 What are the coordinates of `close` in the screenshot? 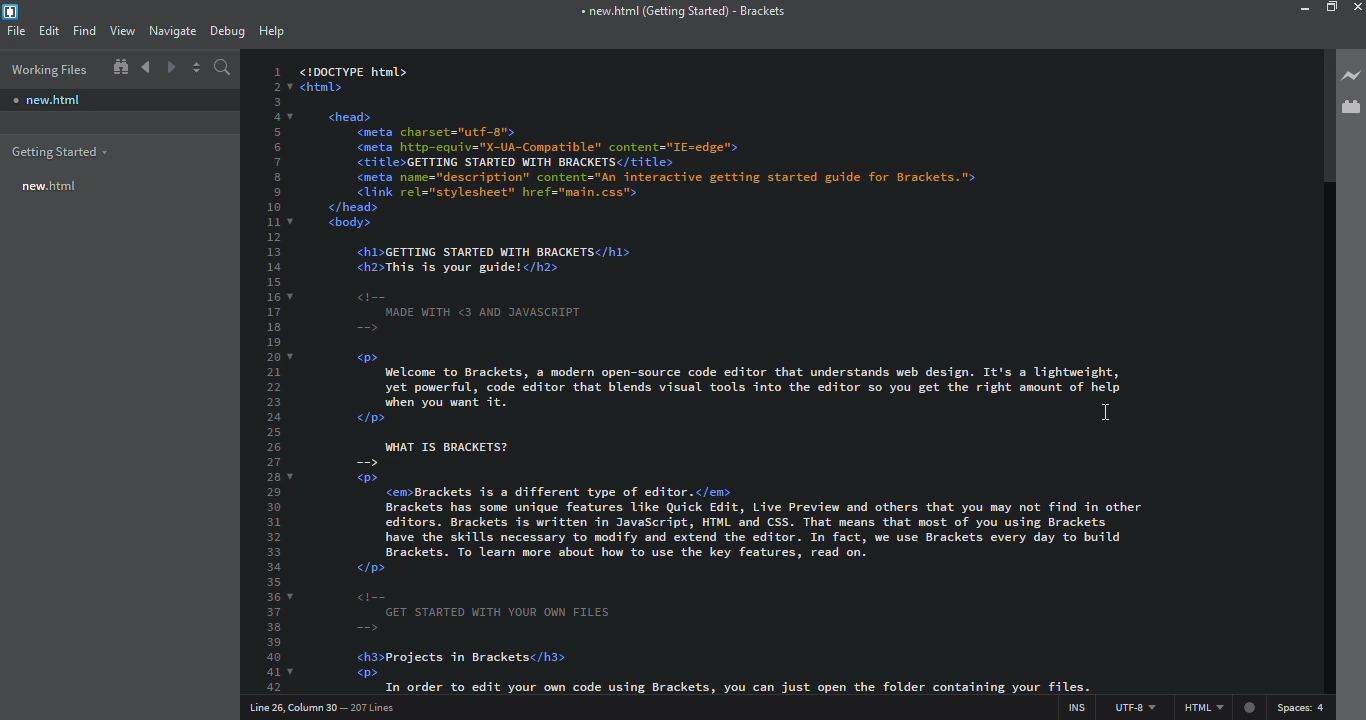 It's located at (1357, 7).